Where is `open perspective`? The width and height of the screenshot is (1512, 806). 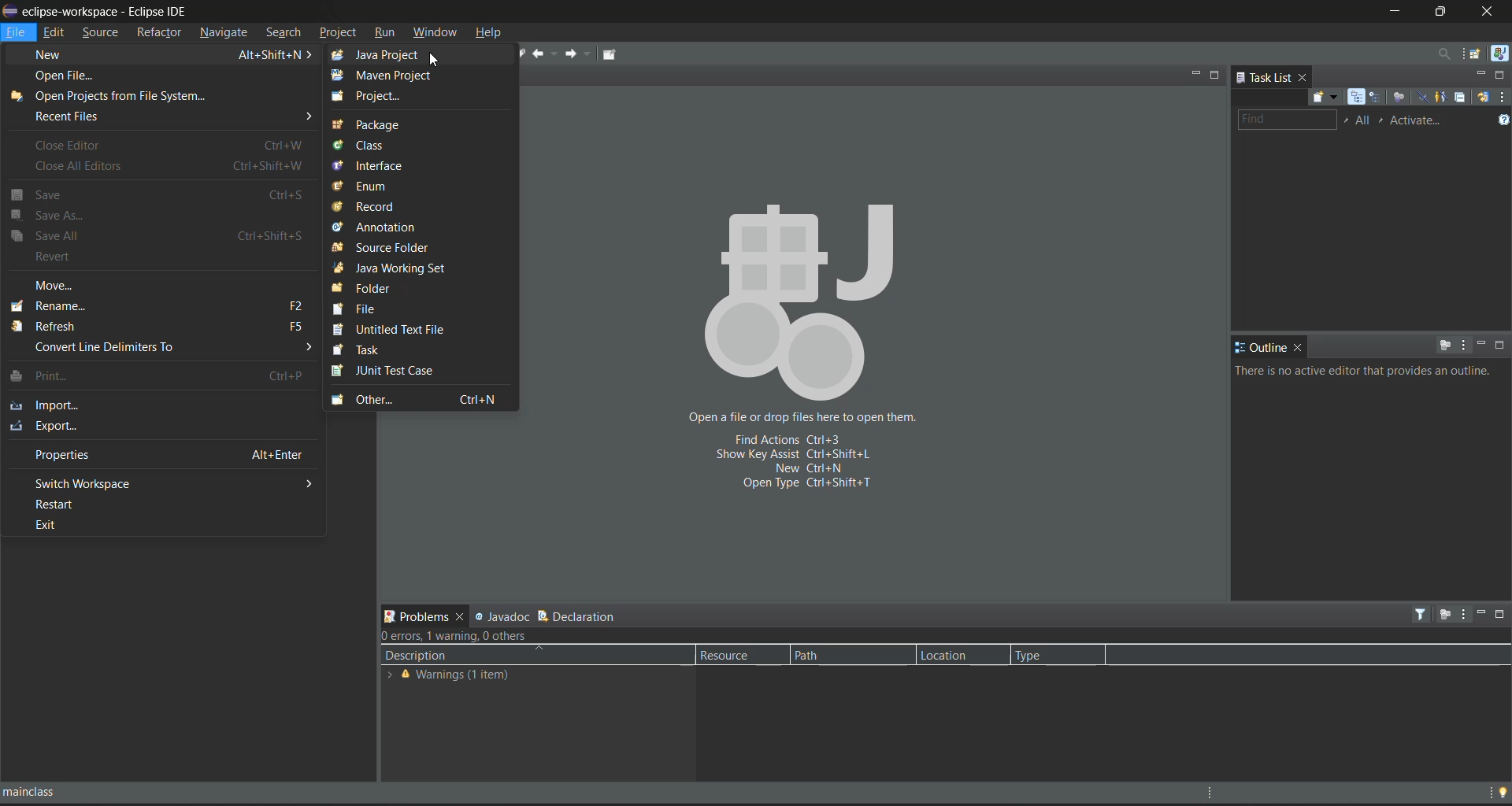
open perspective is located at coordinates (1473, 54).